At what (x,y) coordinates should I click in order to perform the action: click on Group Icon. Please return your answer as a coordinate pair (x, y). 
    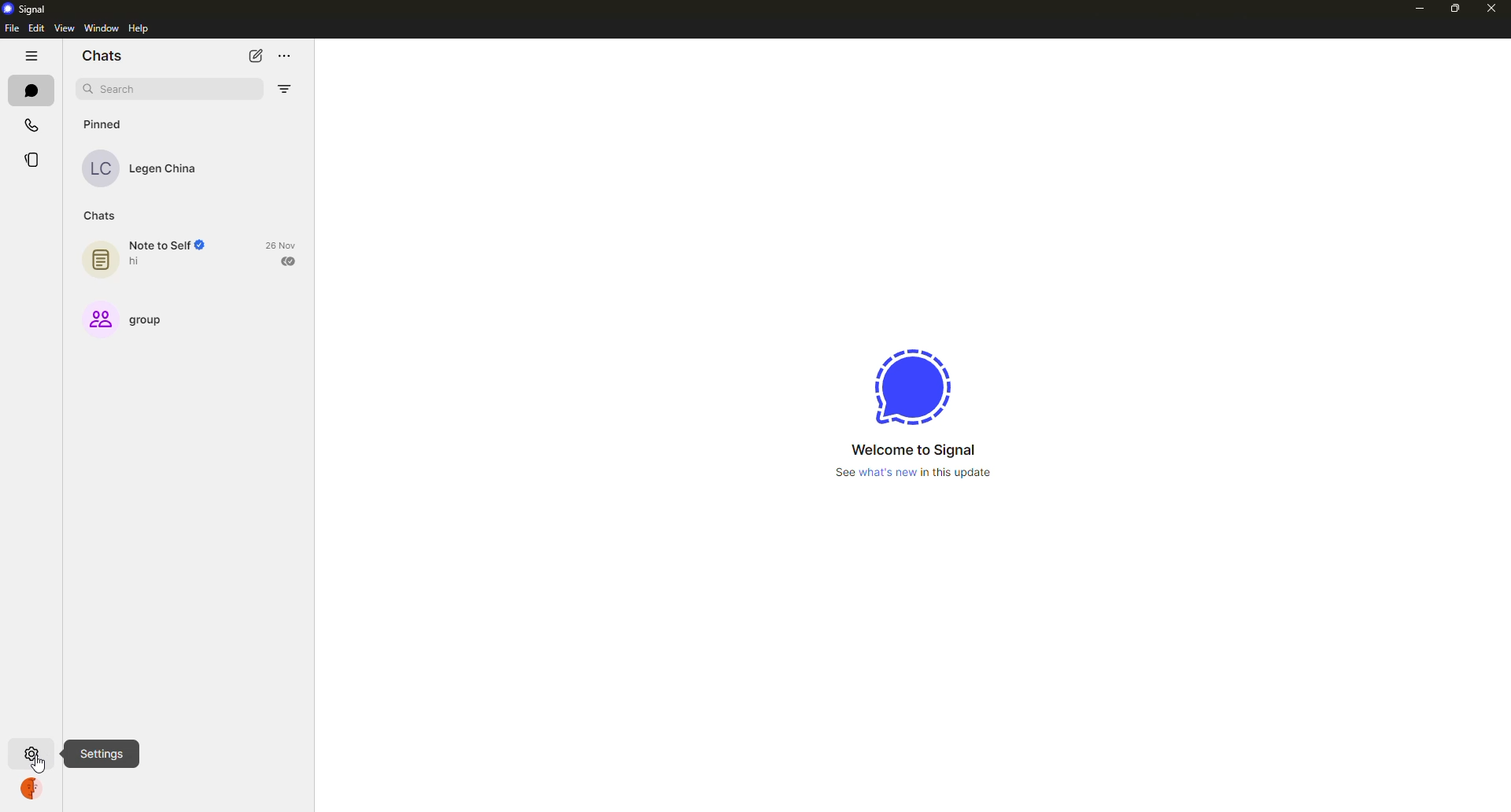
    Looking at the image, I should click on (100, 319).